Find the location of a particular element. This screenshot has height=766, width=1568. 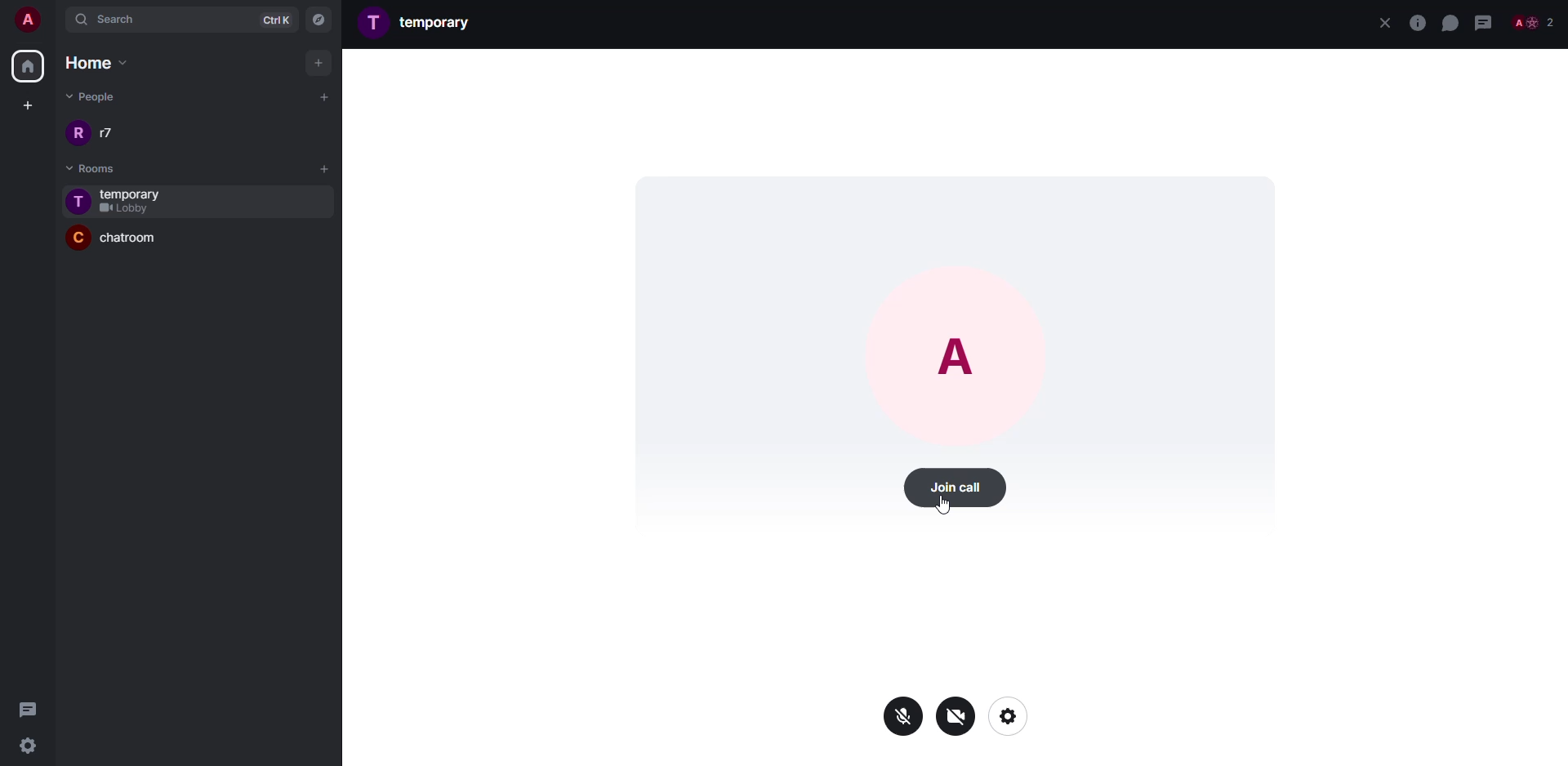

profile is located at coordinates (375, 21).